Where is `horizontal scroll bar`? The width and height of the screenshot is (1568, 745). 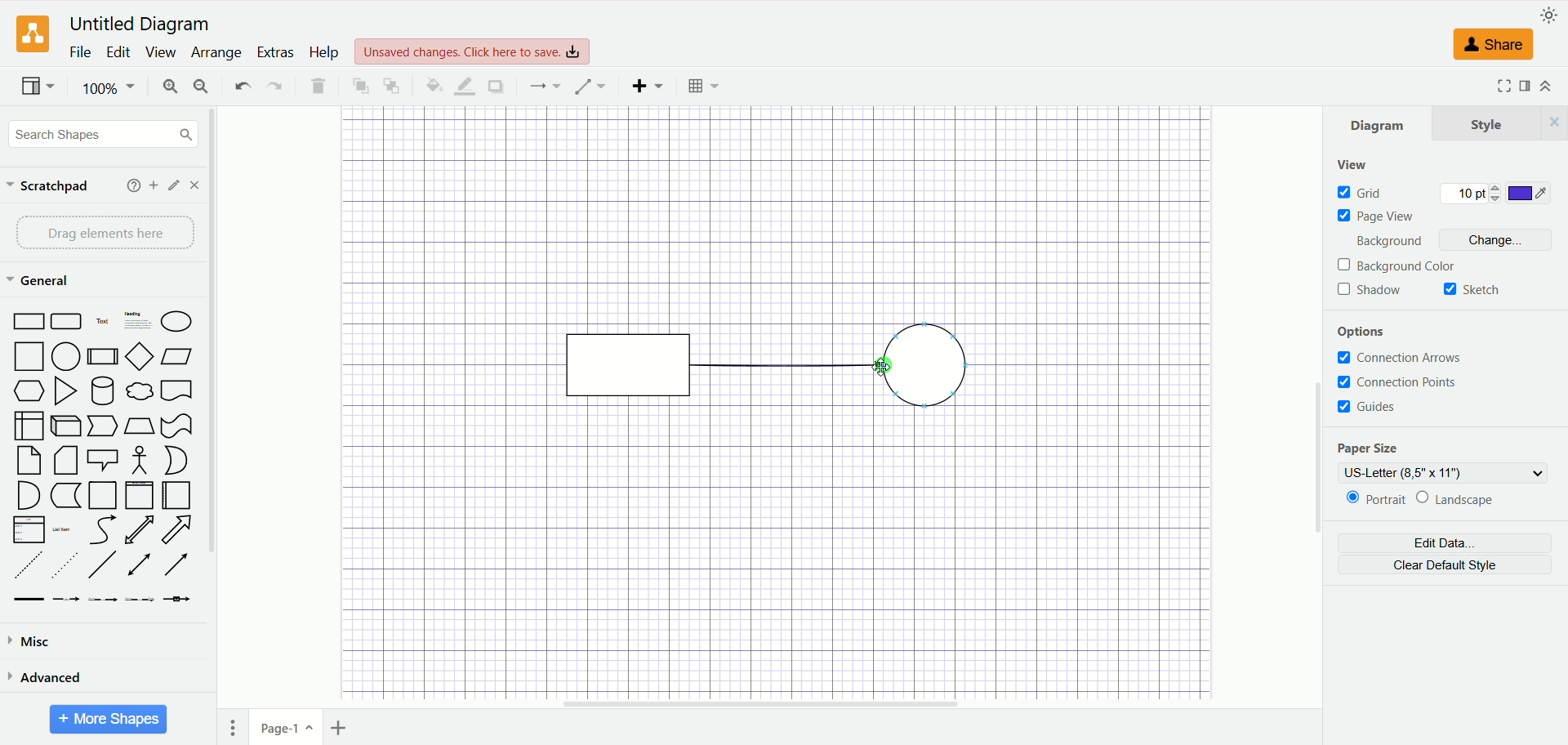 horizontal scroll bar is located at coordinates (766, 704).